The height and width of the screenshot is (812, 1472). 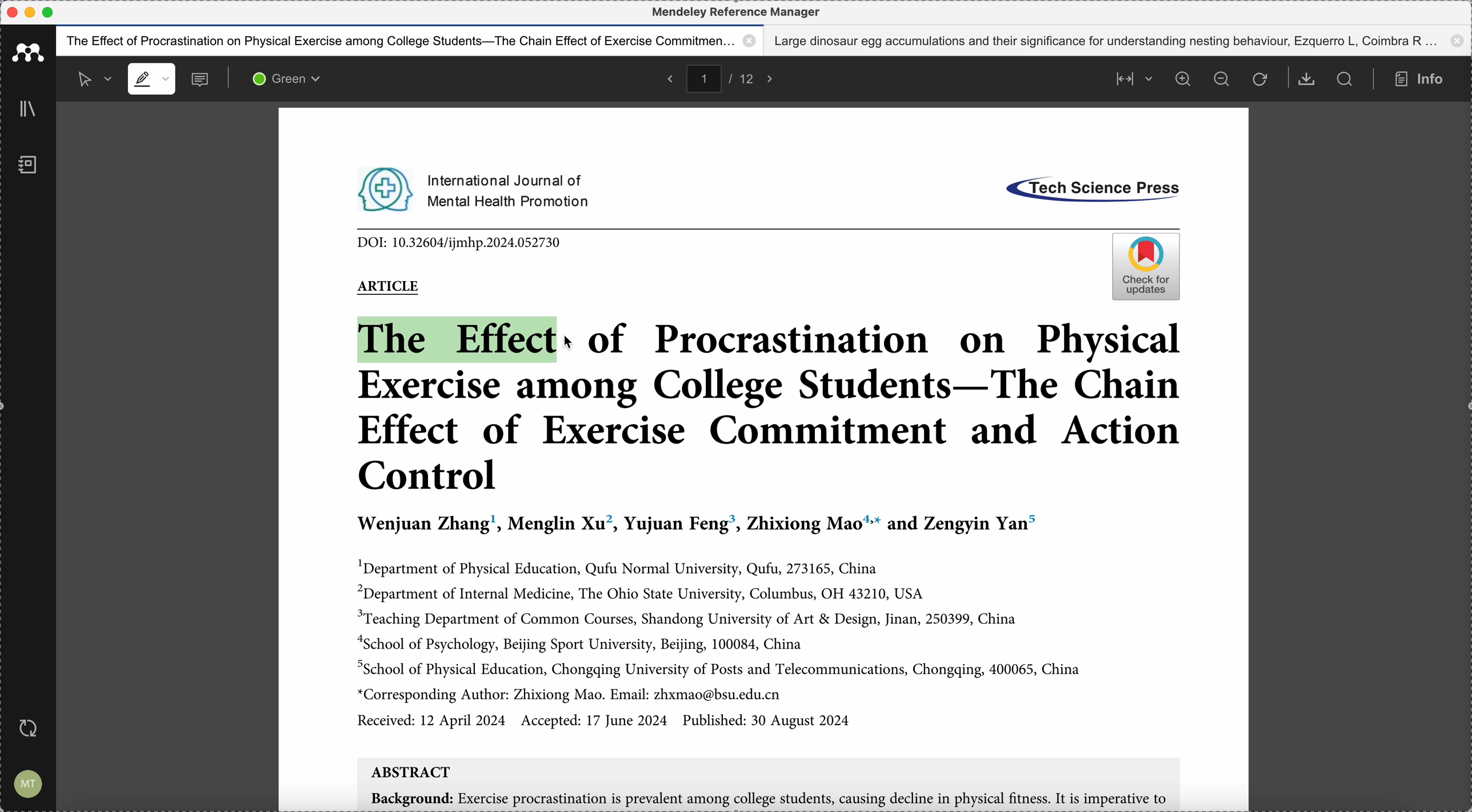 What do you see at coordinates (89, 78) in the screenshot?
I see `selected mode` at bounding box center [89, 78].